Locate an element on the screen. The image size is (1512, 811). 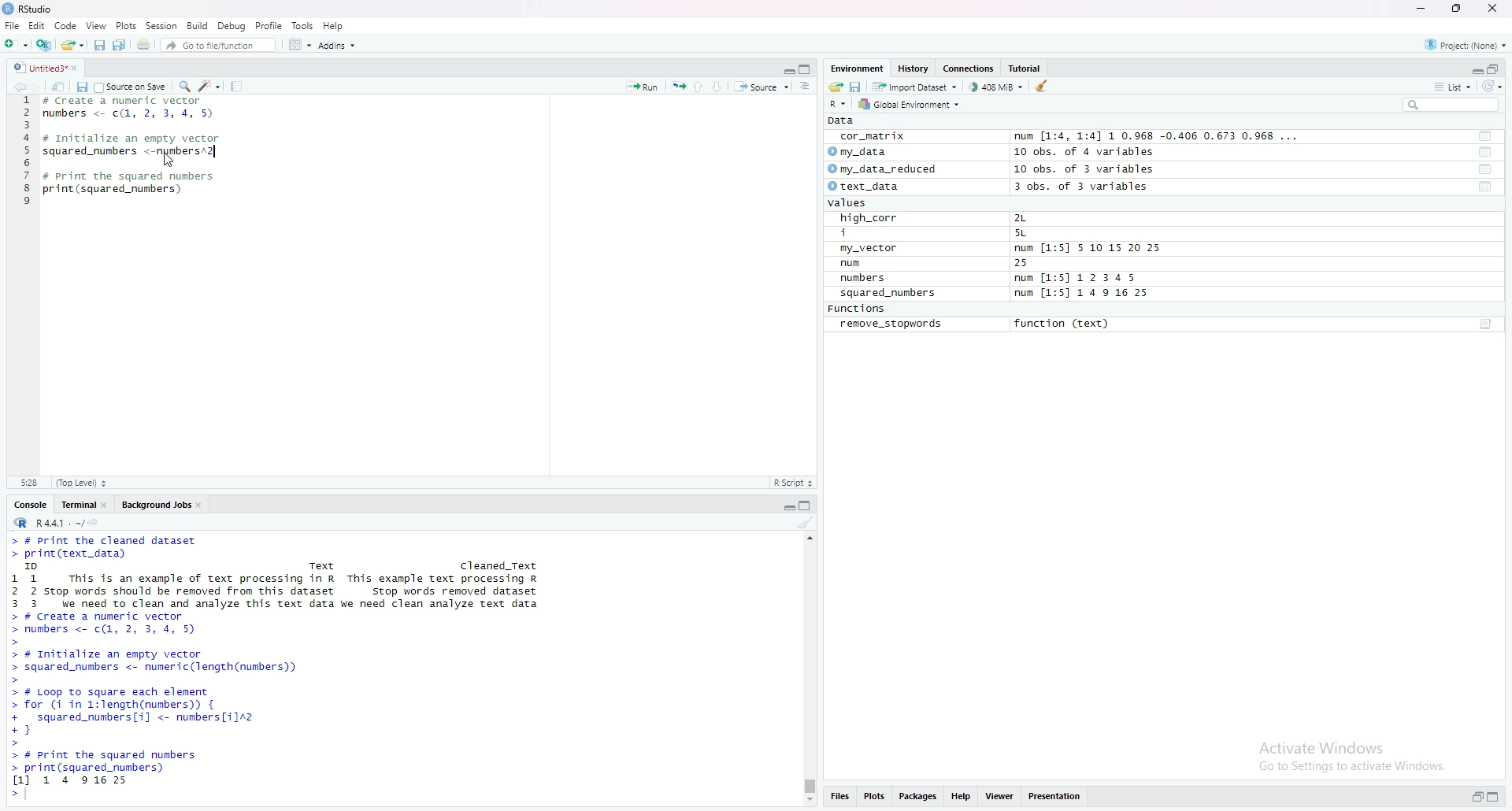
Edit is located at coordinates (36, 25).